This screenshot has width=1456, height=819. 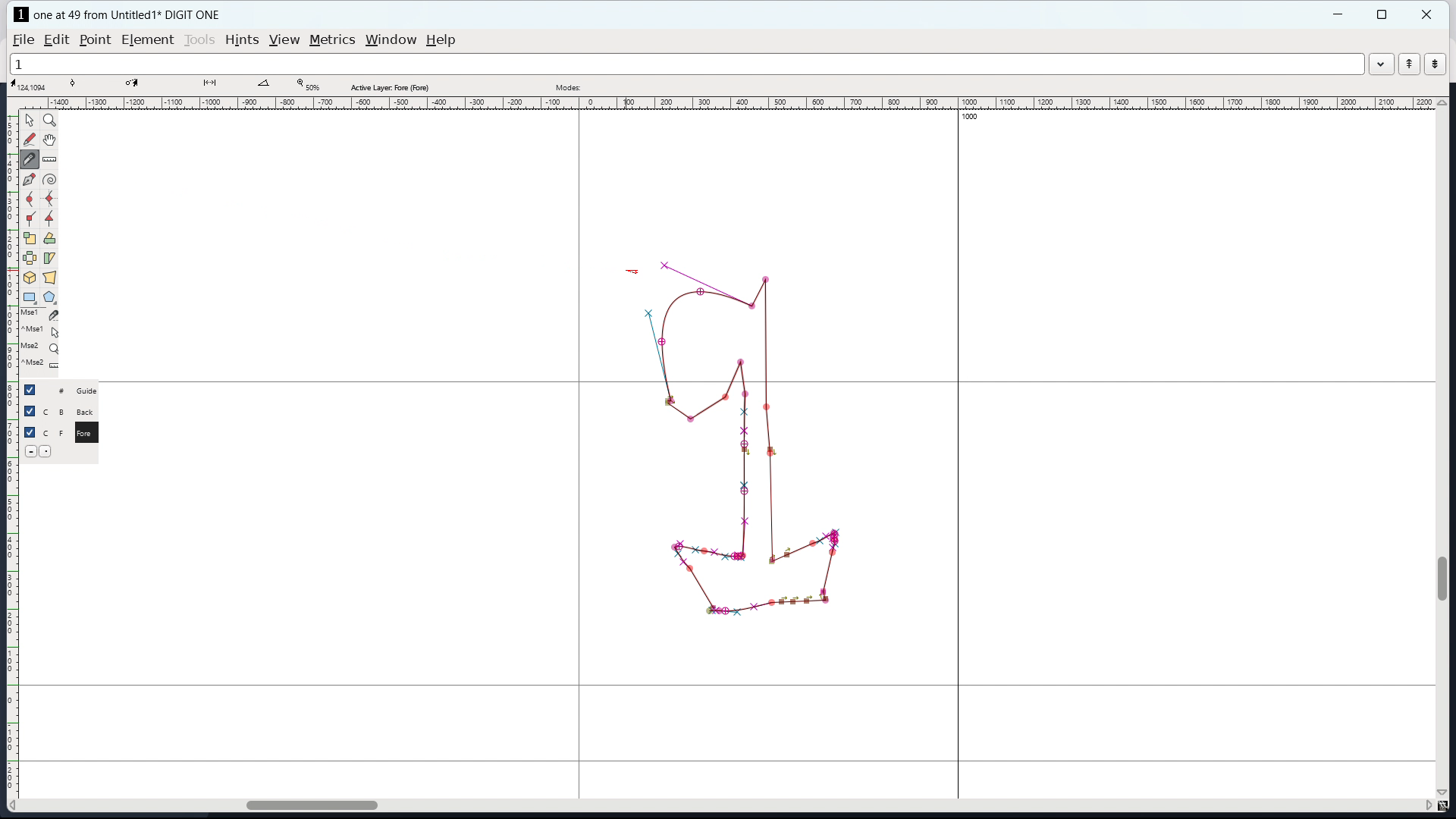 What do you see at coordinates (332, 40) in the screenshot?
I see `metrics` at bounding box center [332, 40].